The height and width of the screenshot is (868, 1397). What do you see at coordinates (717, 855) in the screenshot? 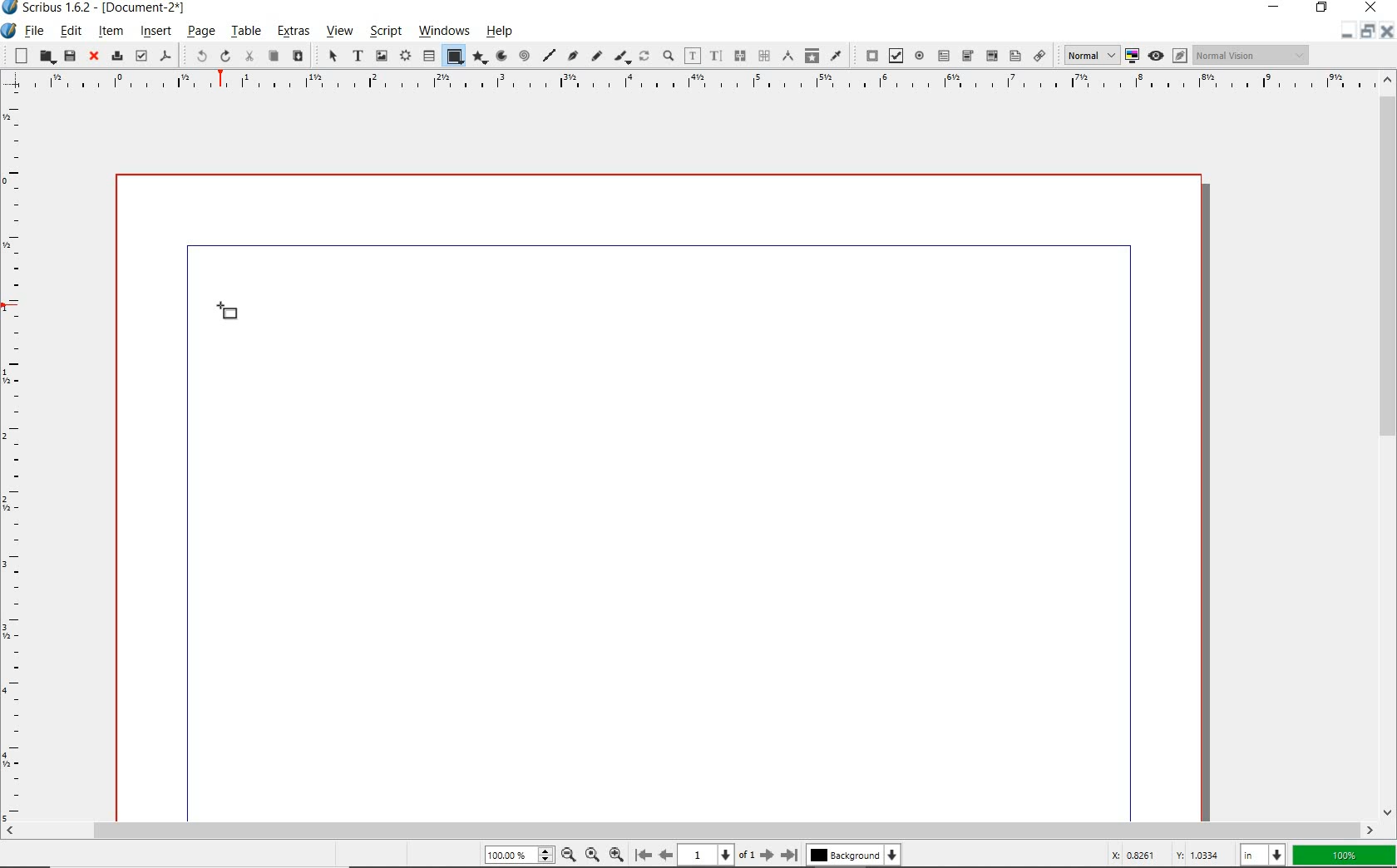
I see `current page` at bounding box center [717, 855].